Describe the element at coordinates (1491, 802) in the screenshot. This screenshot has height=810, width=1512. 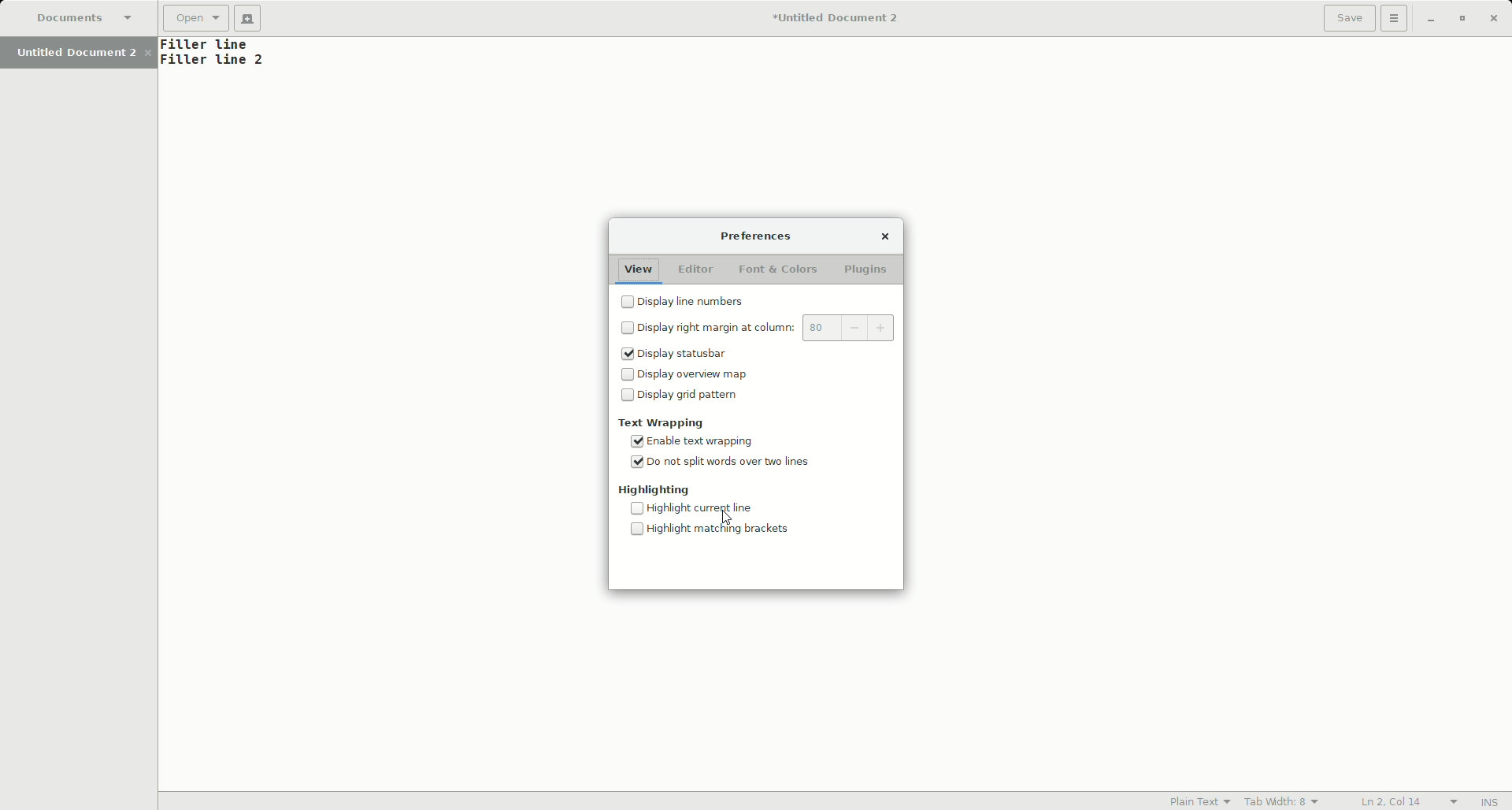
I see `INS` at that location.